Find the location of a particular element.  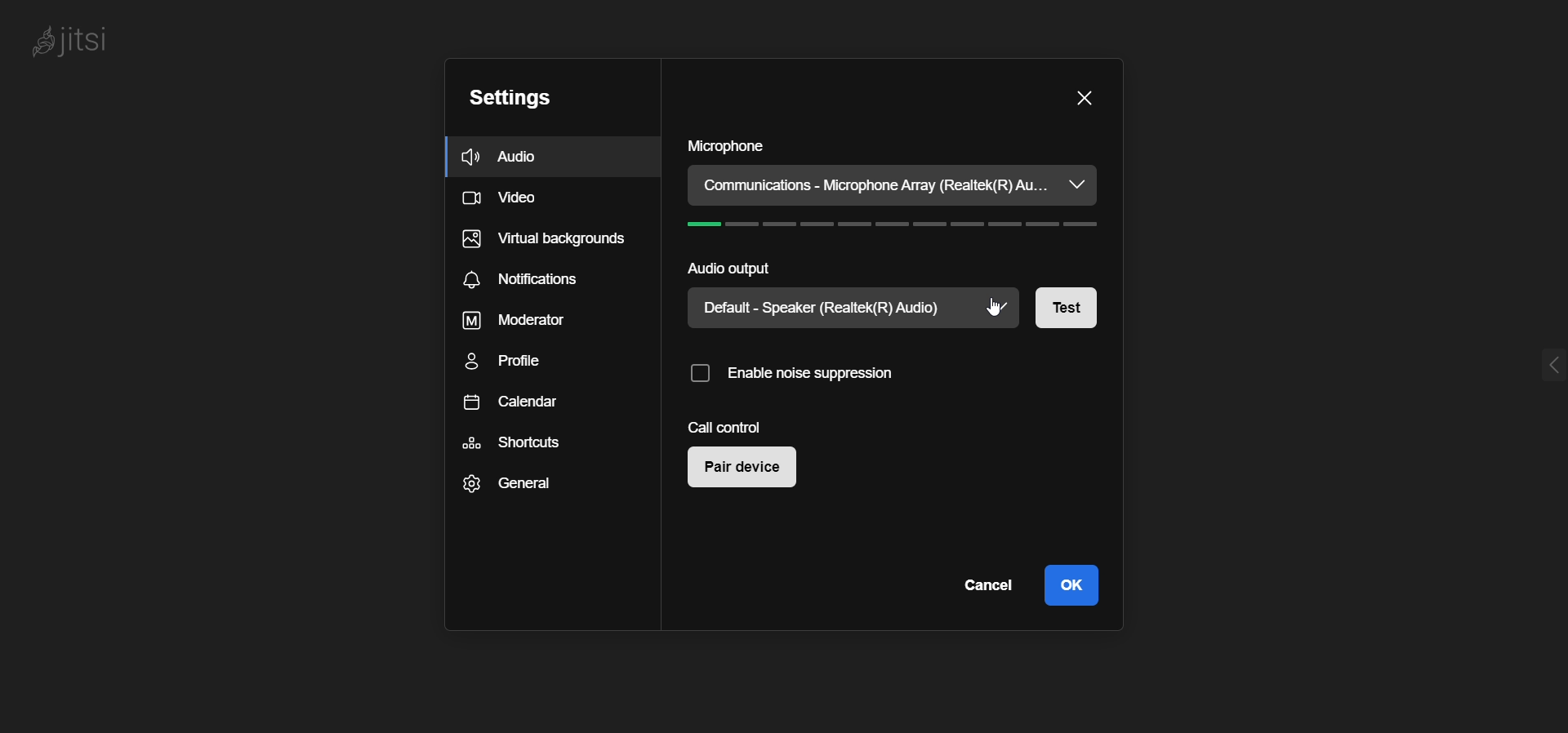

shortcuts is located at coordinates (511, 443).